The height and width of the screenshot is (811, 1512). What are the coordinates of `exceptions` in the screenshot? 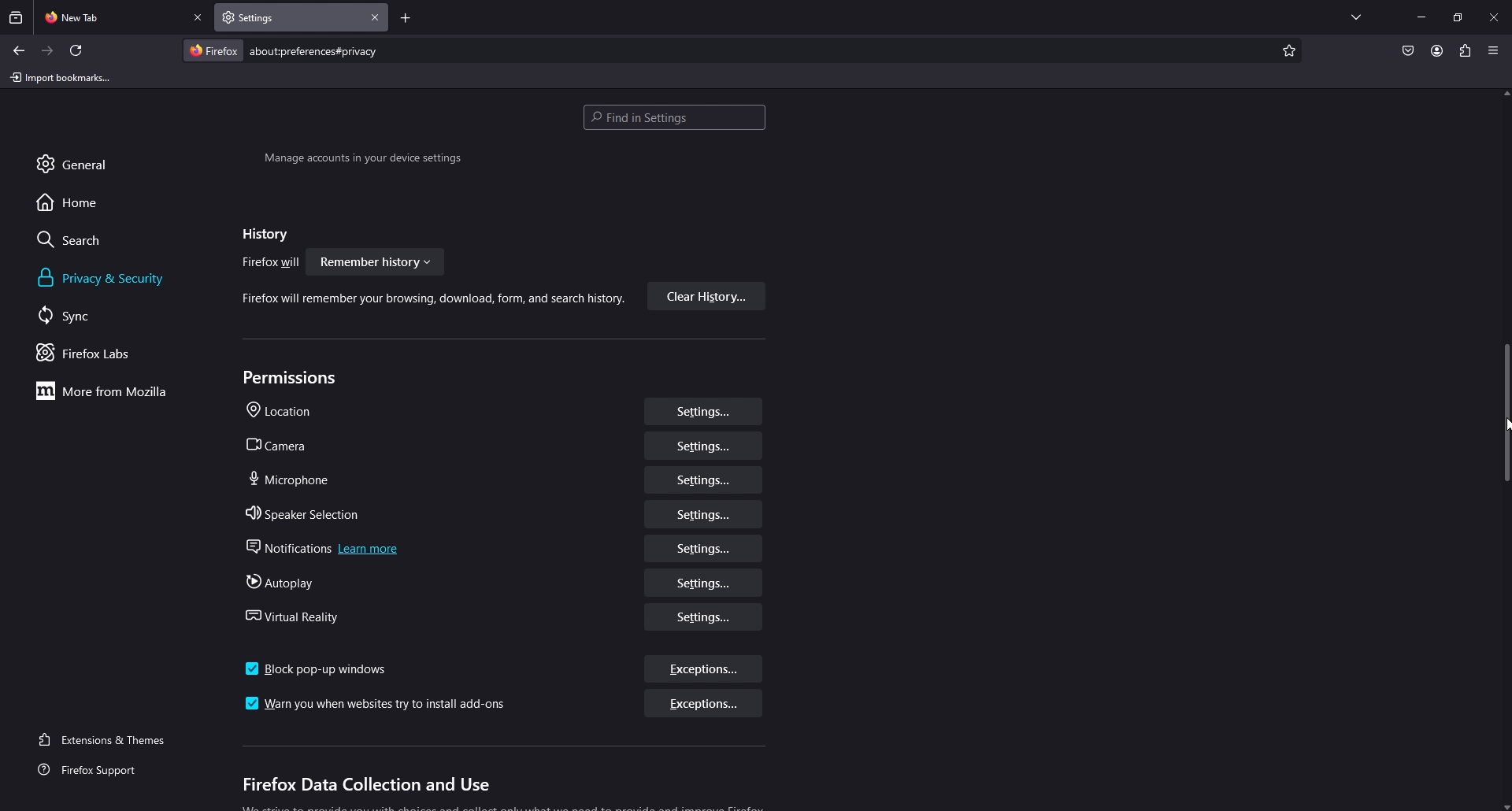 It's located at (701, 705).